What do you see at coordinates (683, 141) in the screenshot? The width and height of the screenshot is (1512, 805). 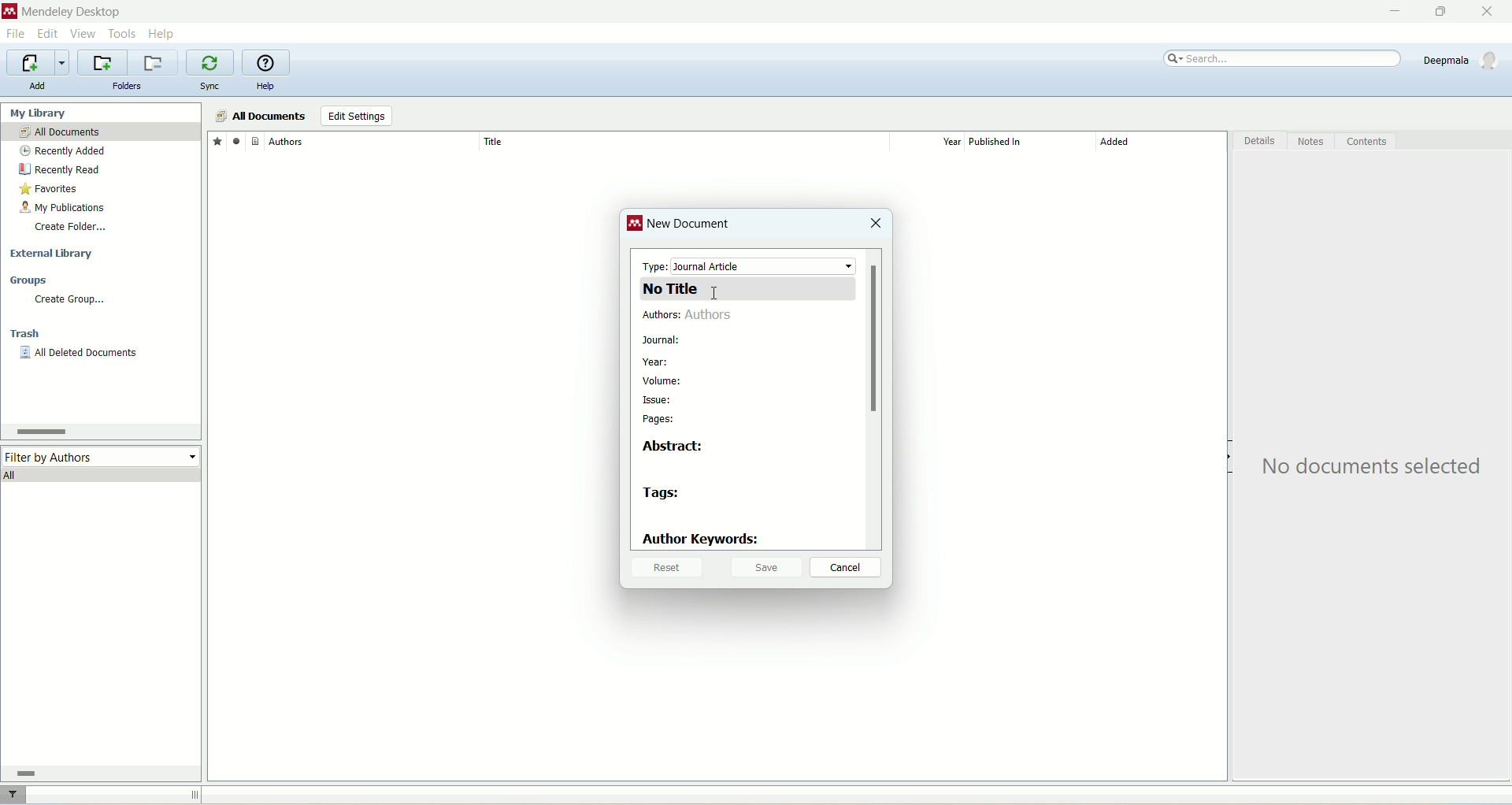 I see `title` at bounding box center [683, 141].